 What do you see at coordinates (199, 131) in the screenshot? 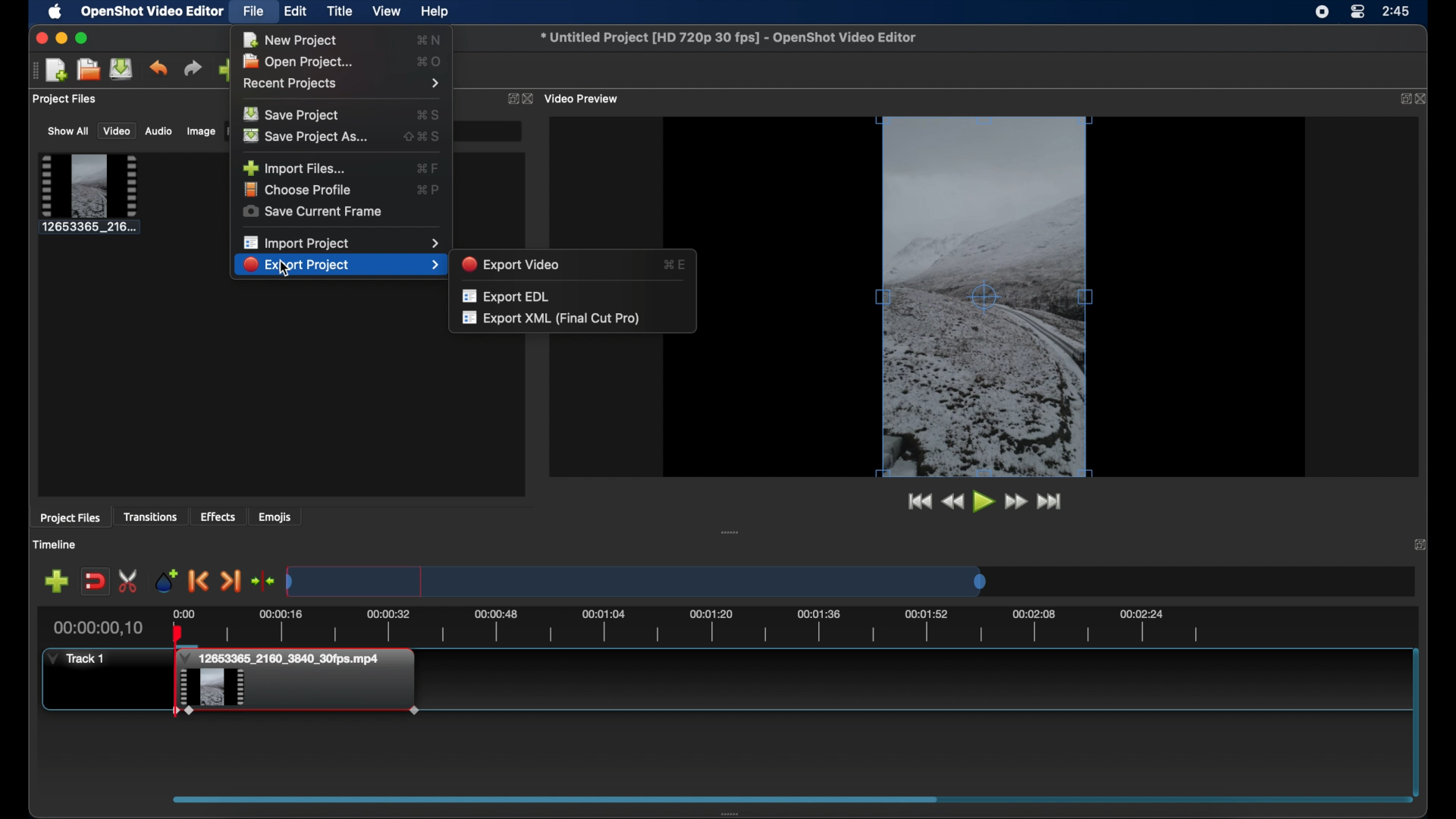
I see `image` at bounding box center [199, 131].